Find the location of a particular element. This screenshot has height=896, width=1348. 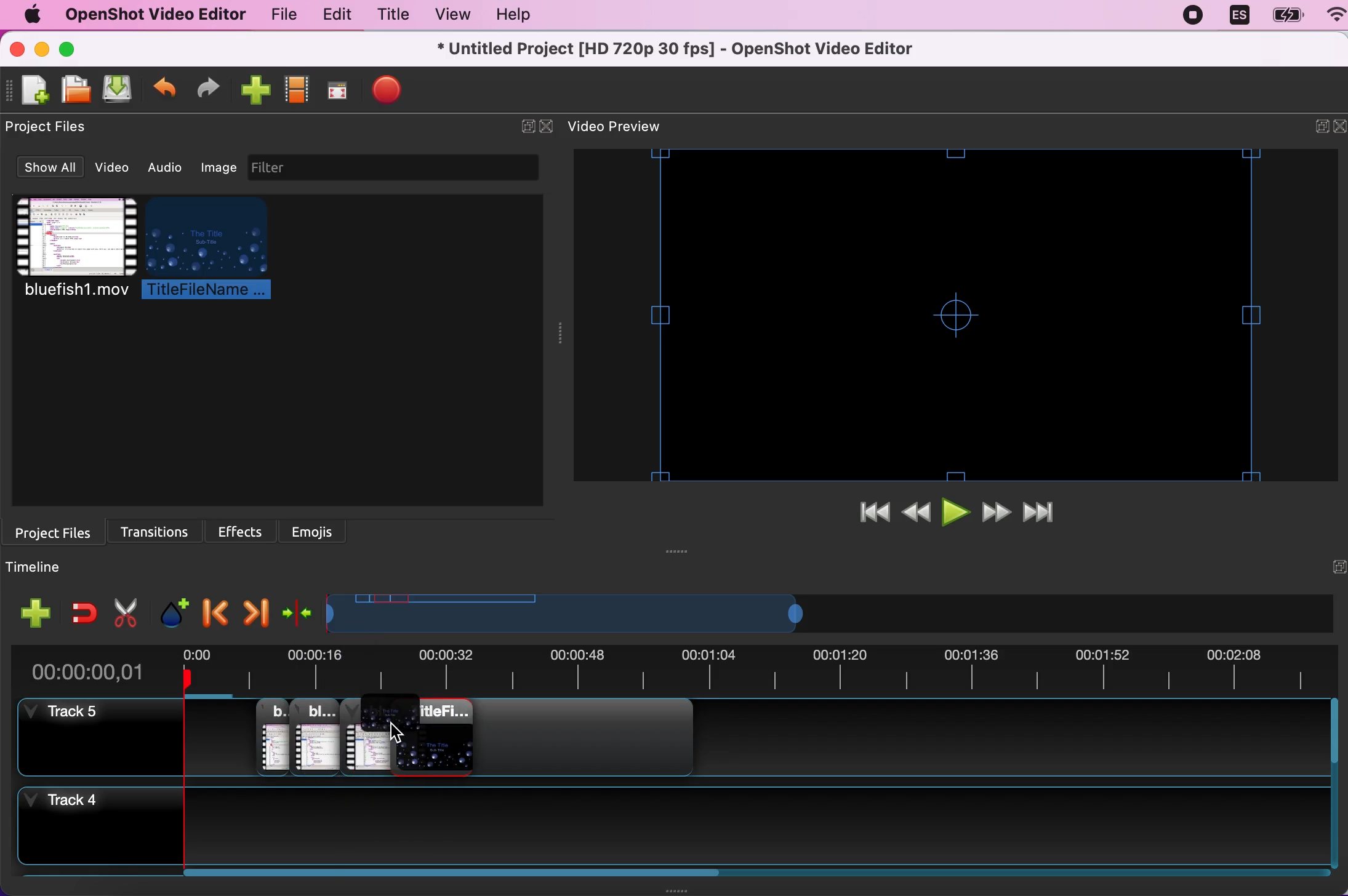

minimize is located at coordinates (41, 50).